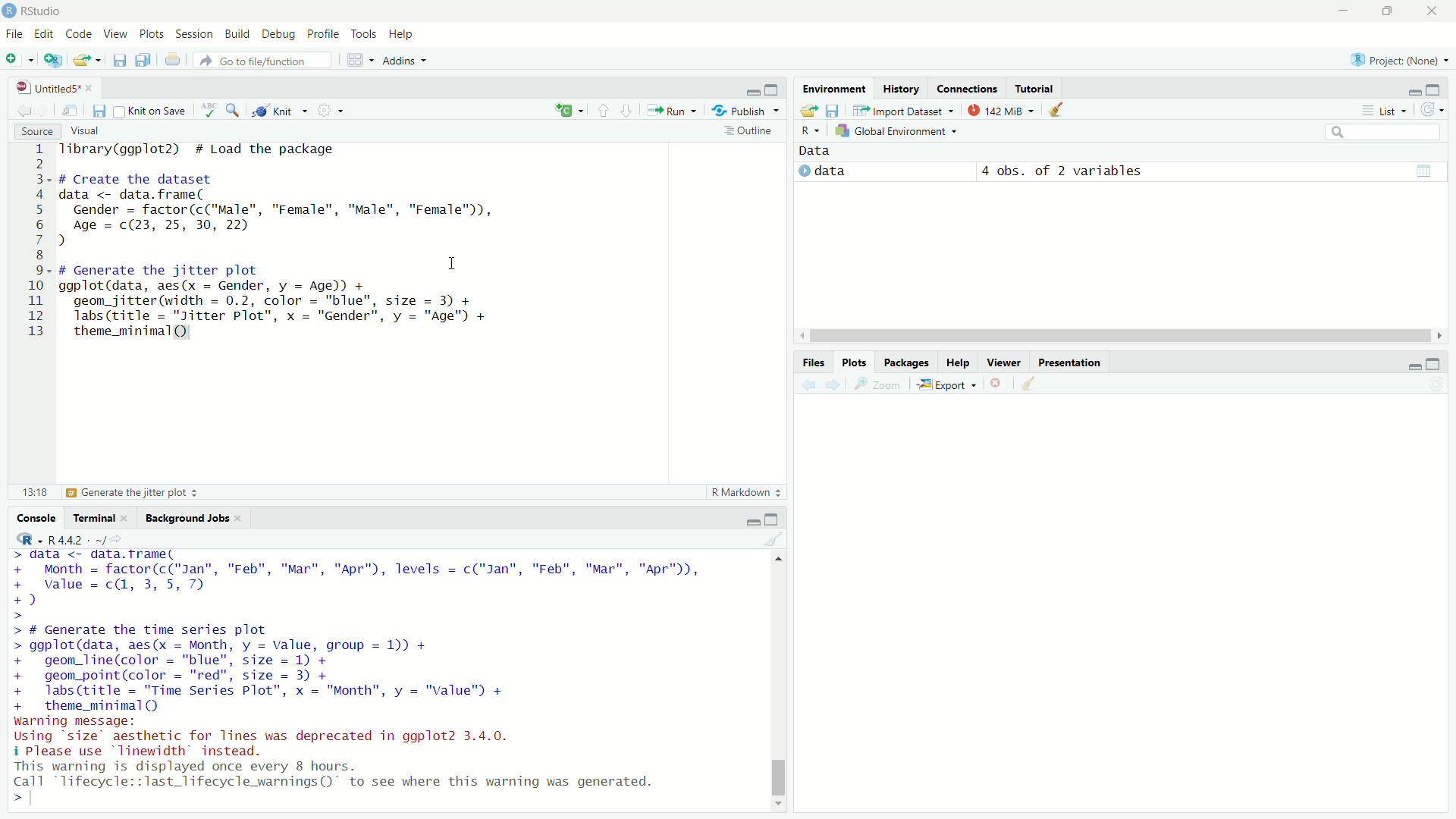  Describe the element at coordinates (45, 108) in the screenshot. I see `go forward to next source location` at that location.